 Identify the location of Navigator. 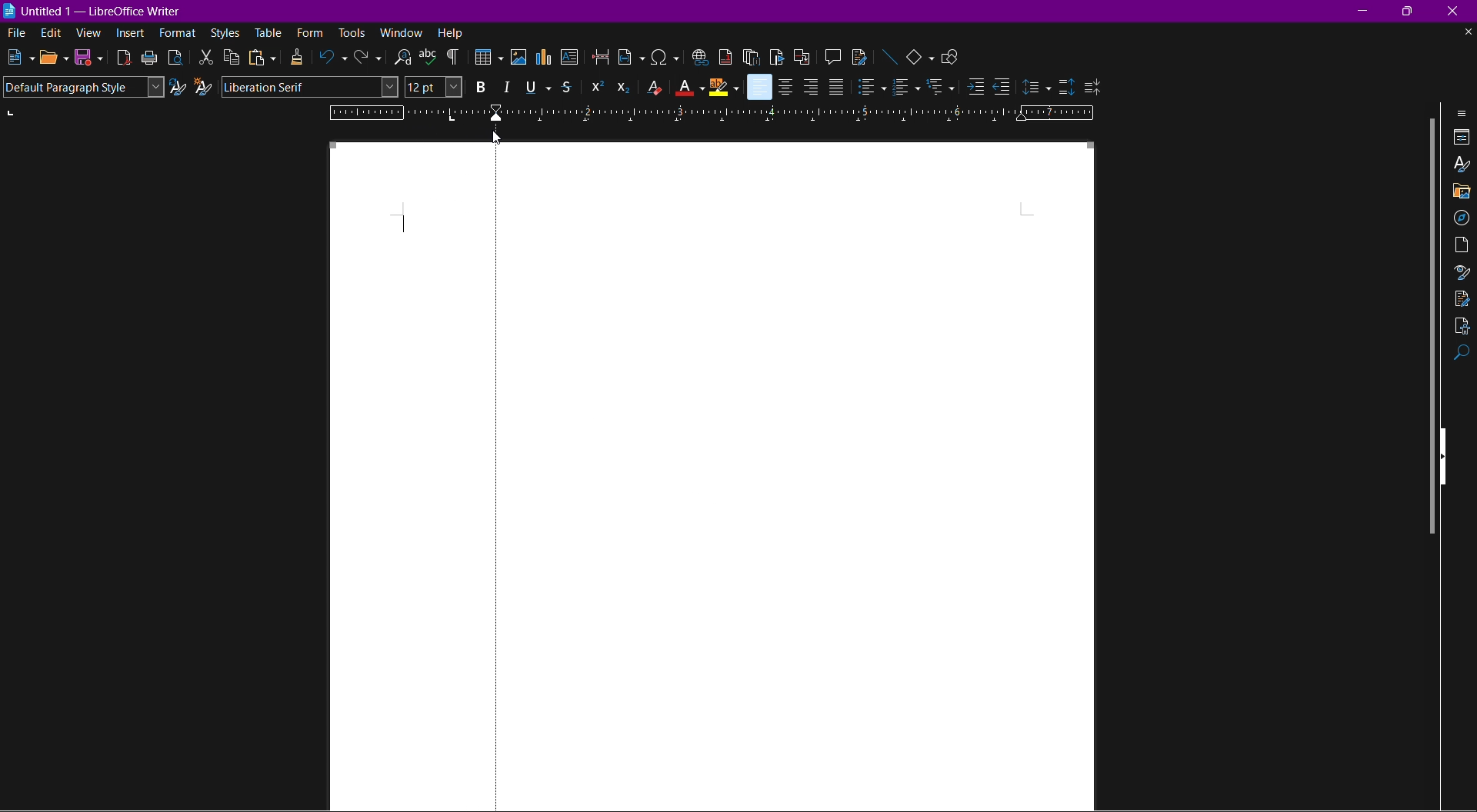
(1462, 216).